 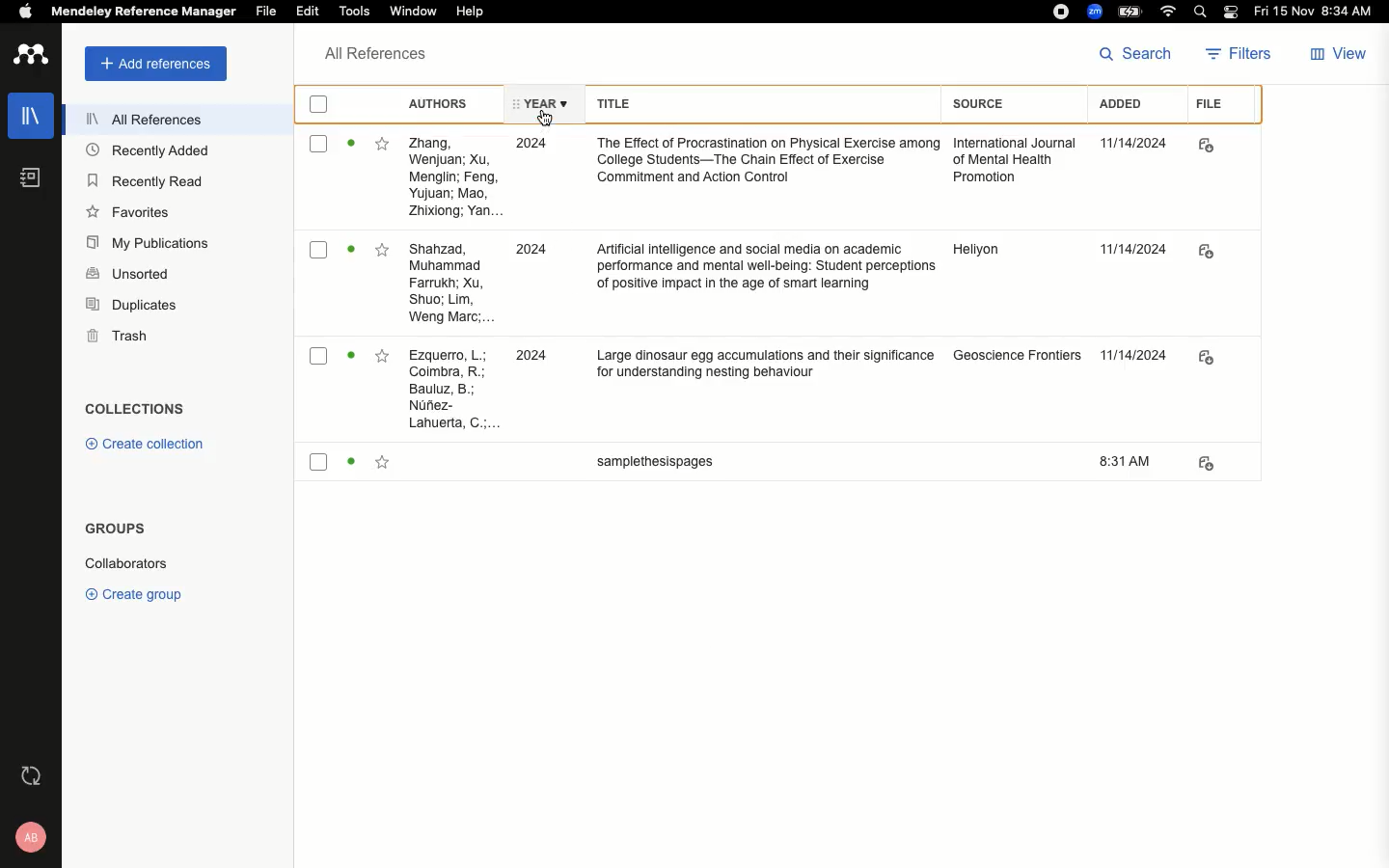 I want to click on Trash, so click(x=121, y=334).